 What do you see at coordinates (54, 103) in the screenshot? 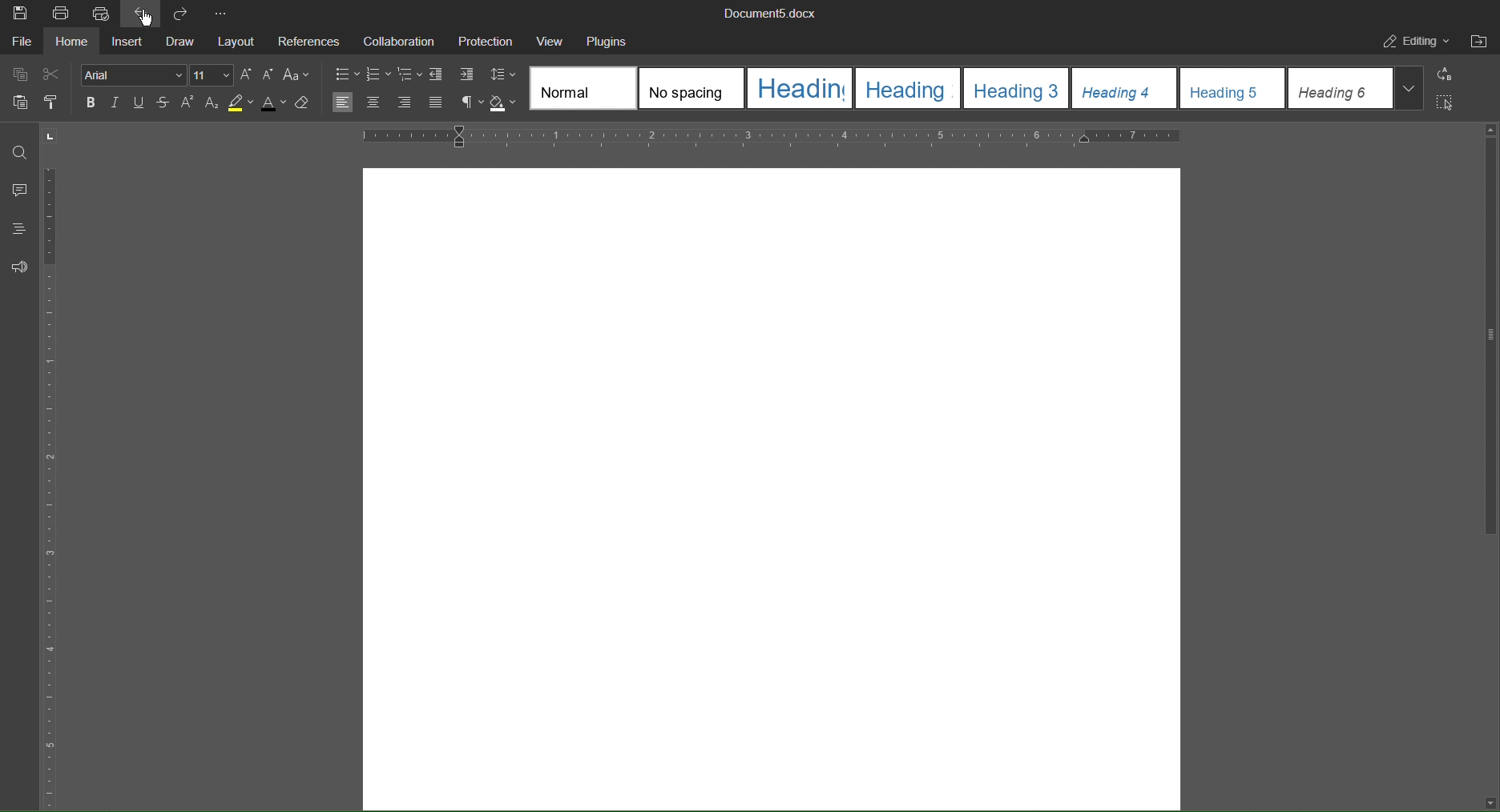
I see `Copy Style` at bounding box center [54, 103].